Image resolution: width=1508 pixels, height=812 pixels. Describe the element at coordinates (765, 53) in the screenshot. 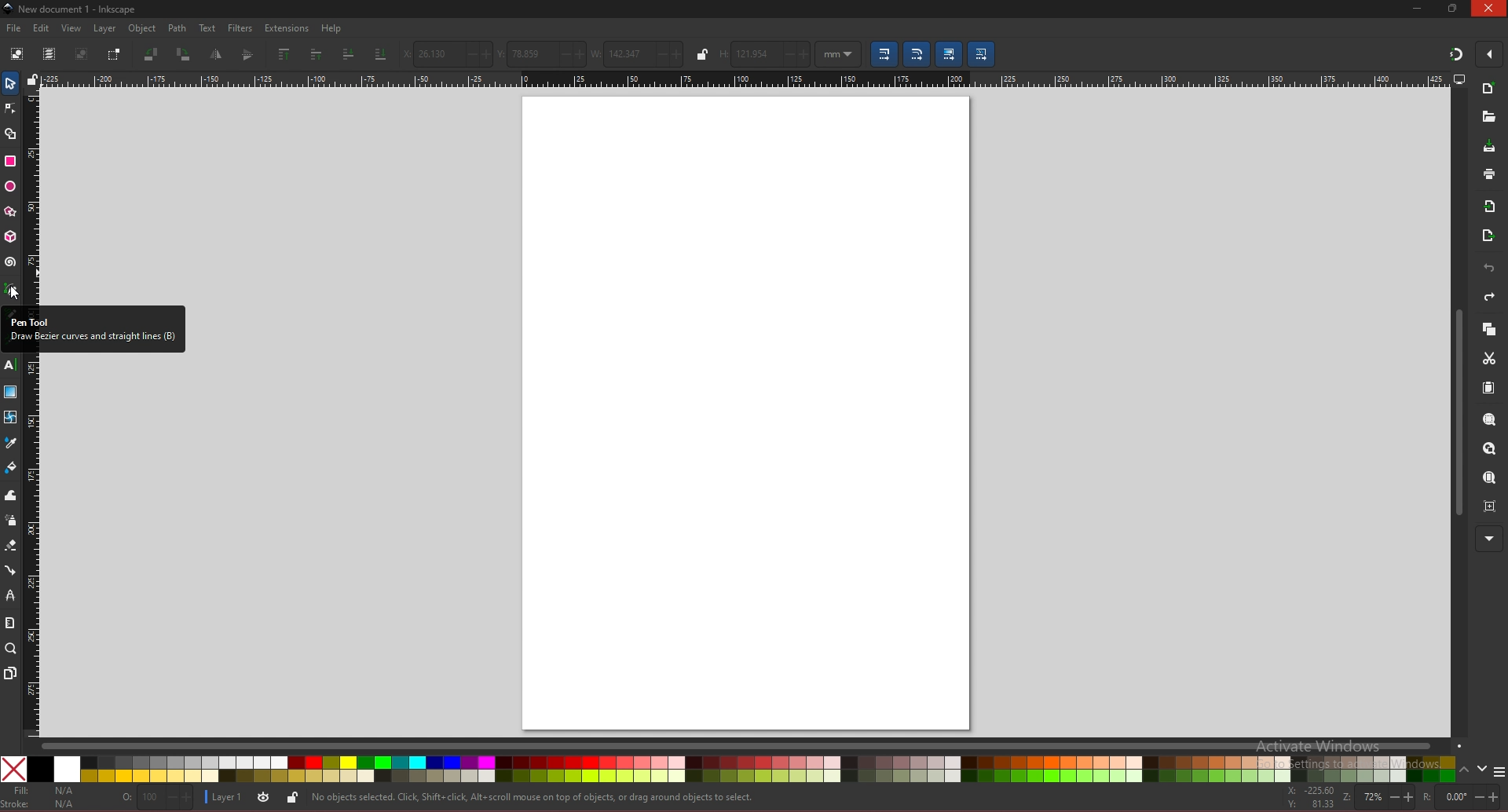

I see `height` at that location.